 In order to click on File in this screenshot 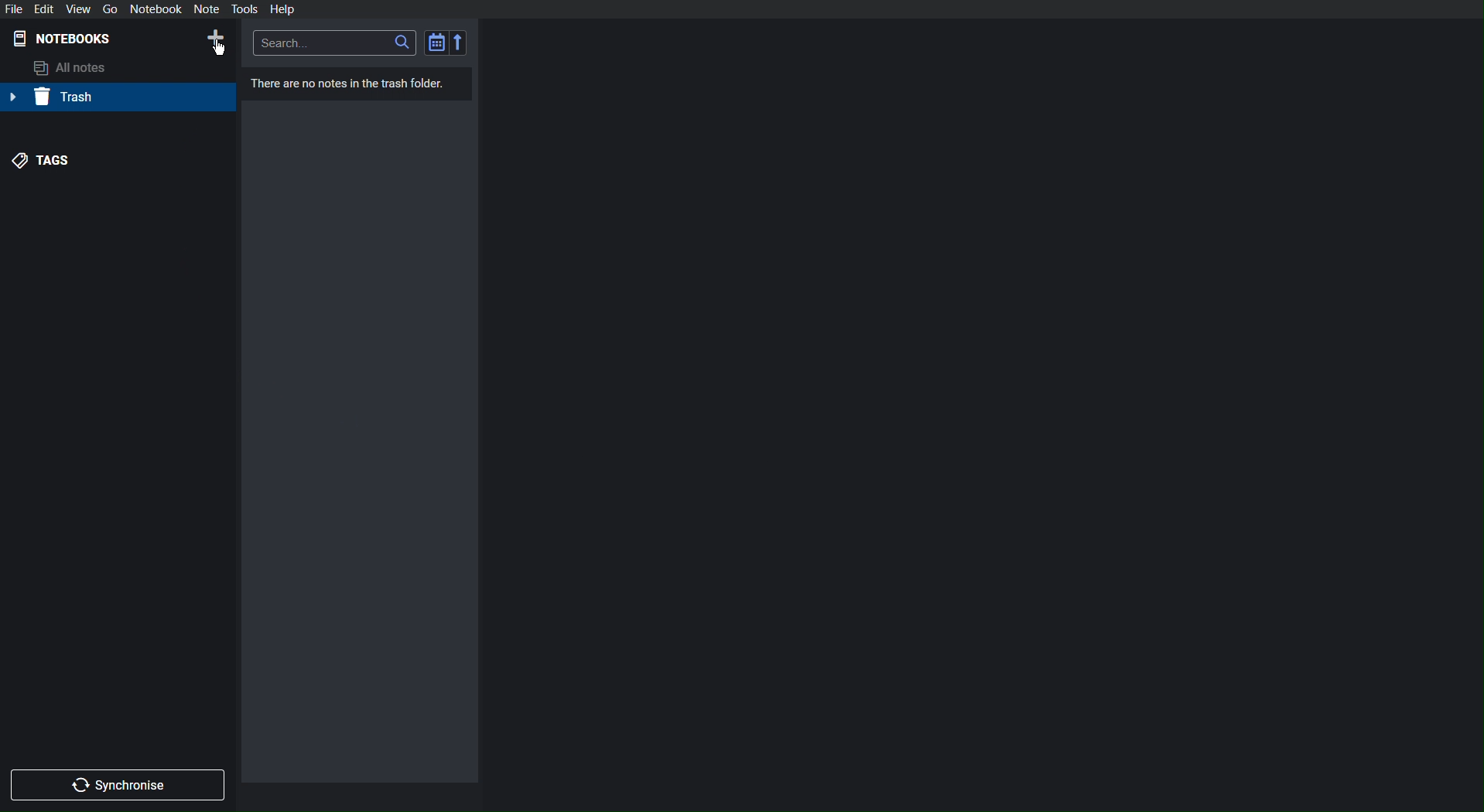, I will do `click(15, 9)`.